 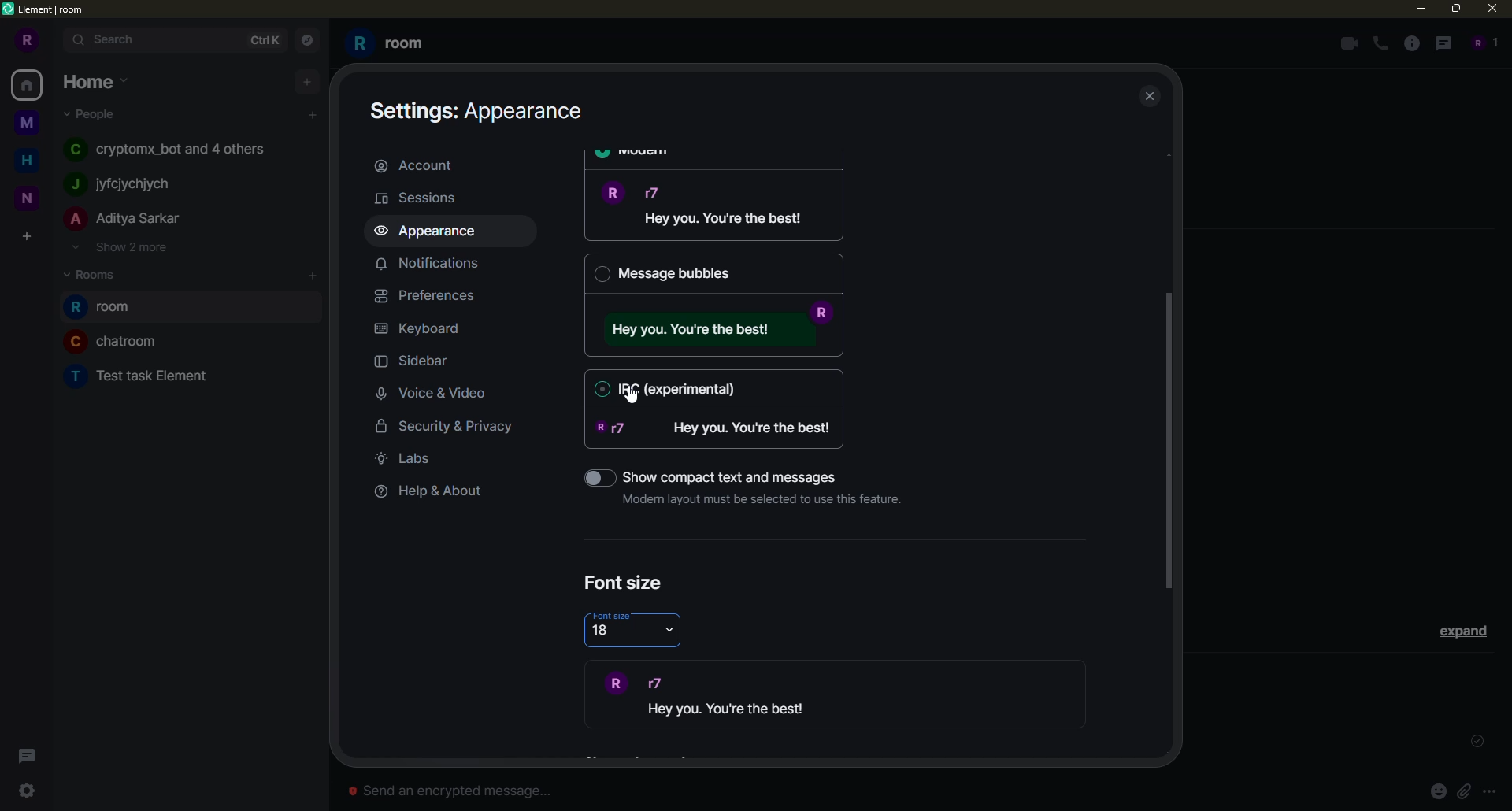 What do you see at coordinates (703, 273) in the screenshot?
I see `Message bubbles` at bounding box center [703, 273].